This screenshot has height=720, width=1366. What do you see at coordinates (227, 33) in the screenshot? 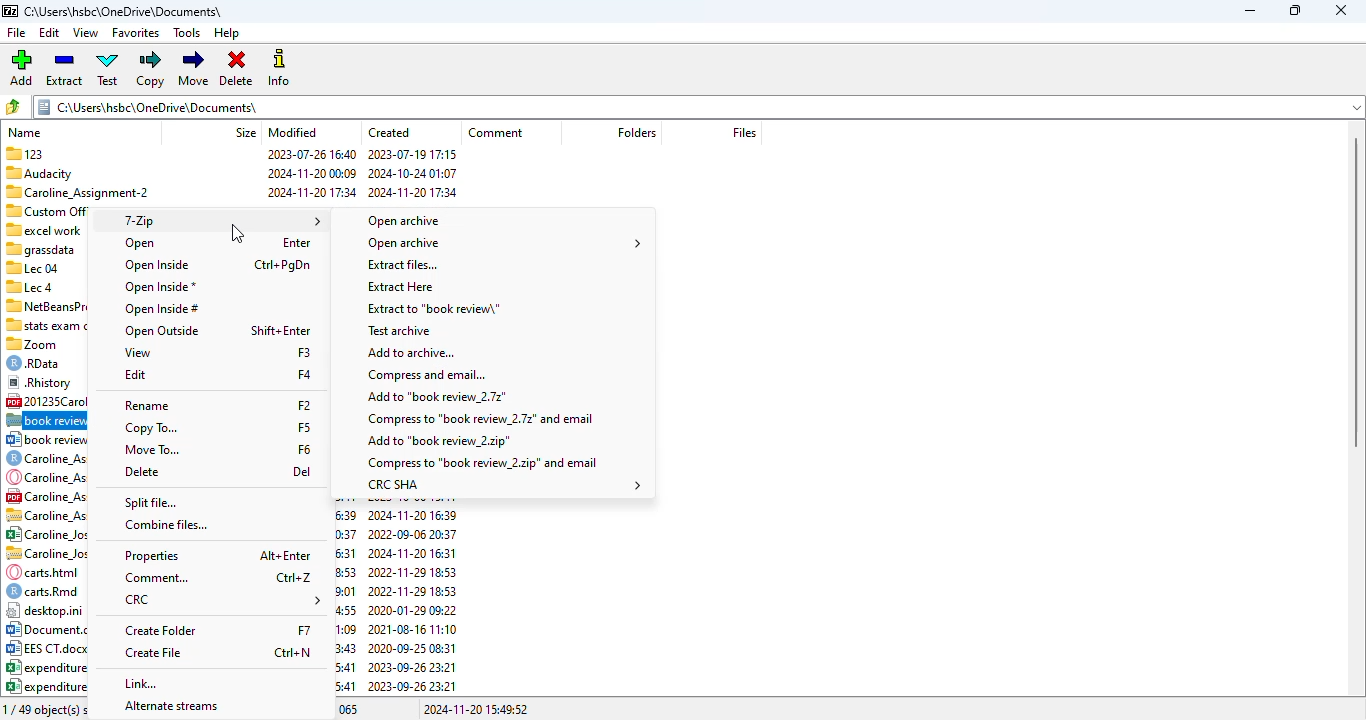
I see `help` at bounding box center [227, 33].